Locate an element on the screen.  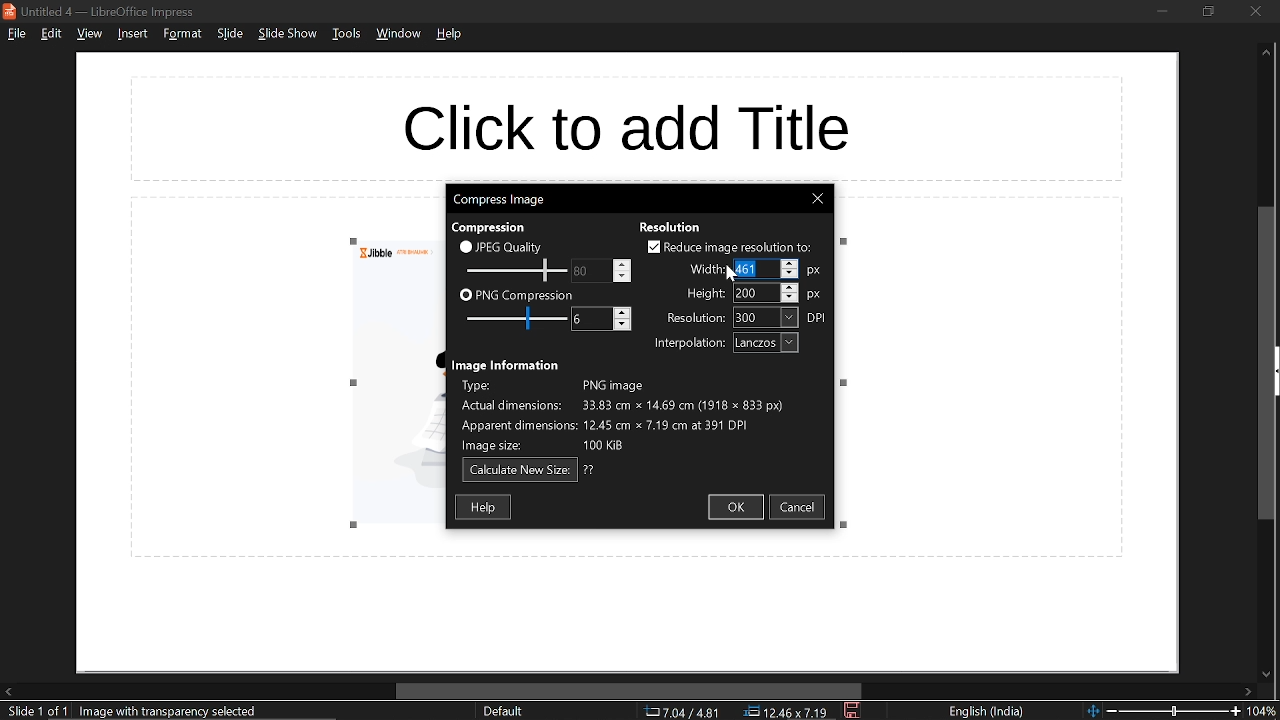
help is located at coordinates (450, 38).